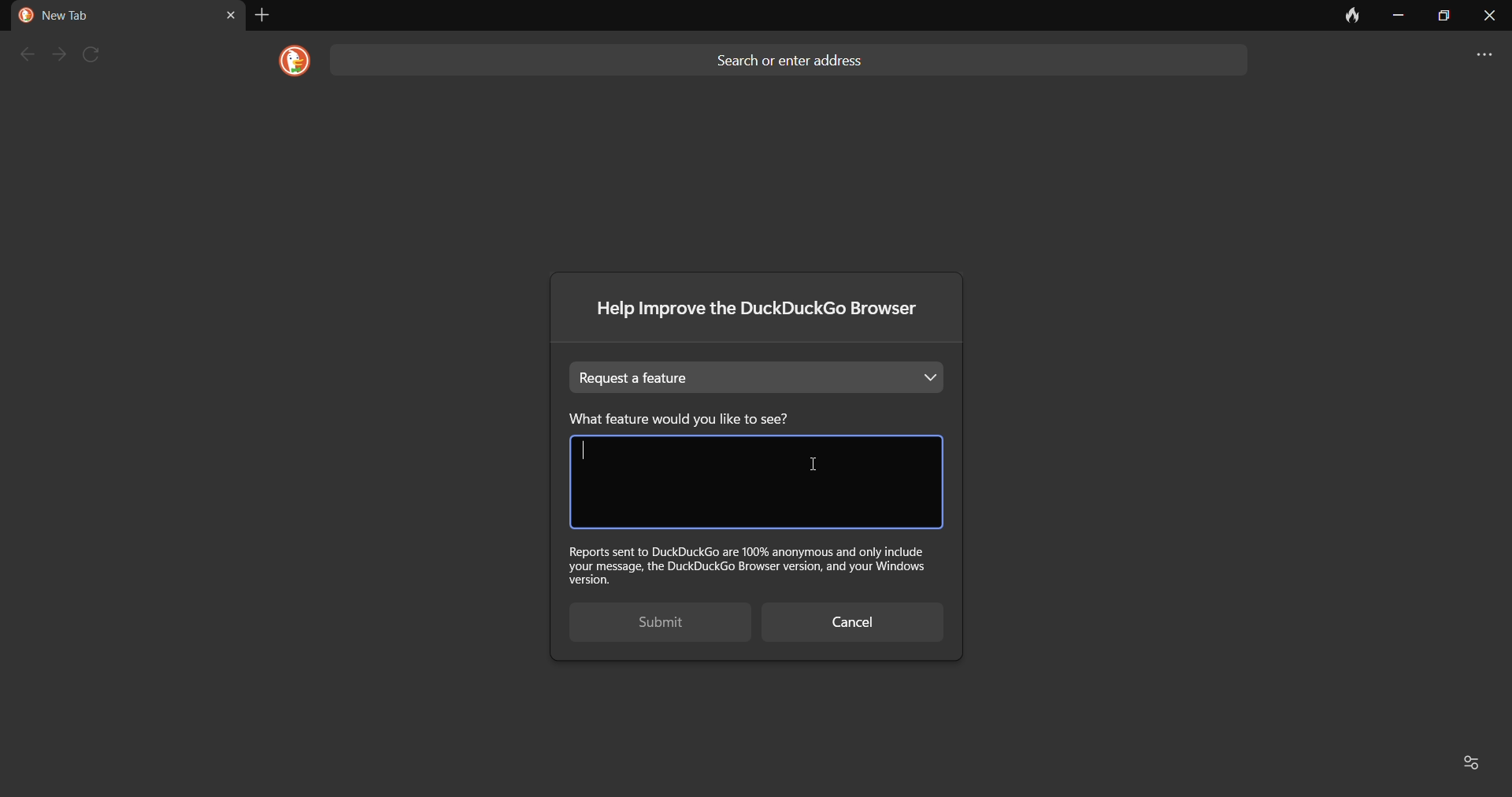  I want to click on cursor, so click(813, 465).